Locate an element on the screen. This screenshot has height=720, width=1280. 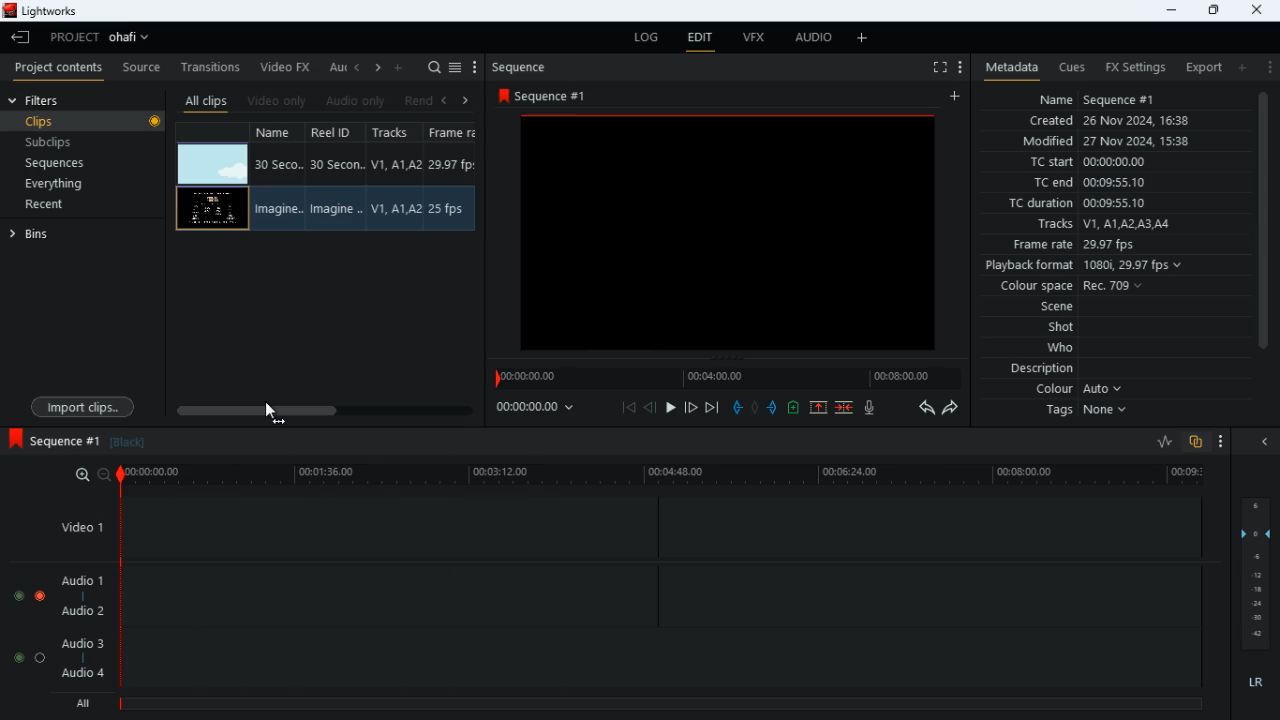
all is located at coordinates (80, 703).